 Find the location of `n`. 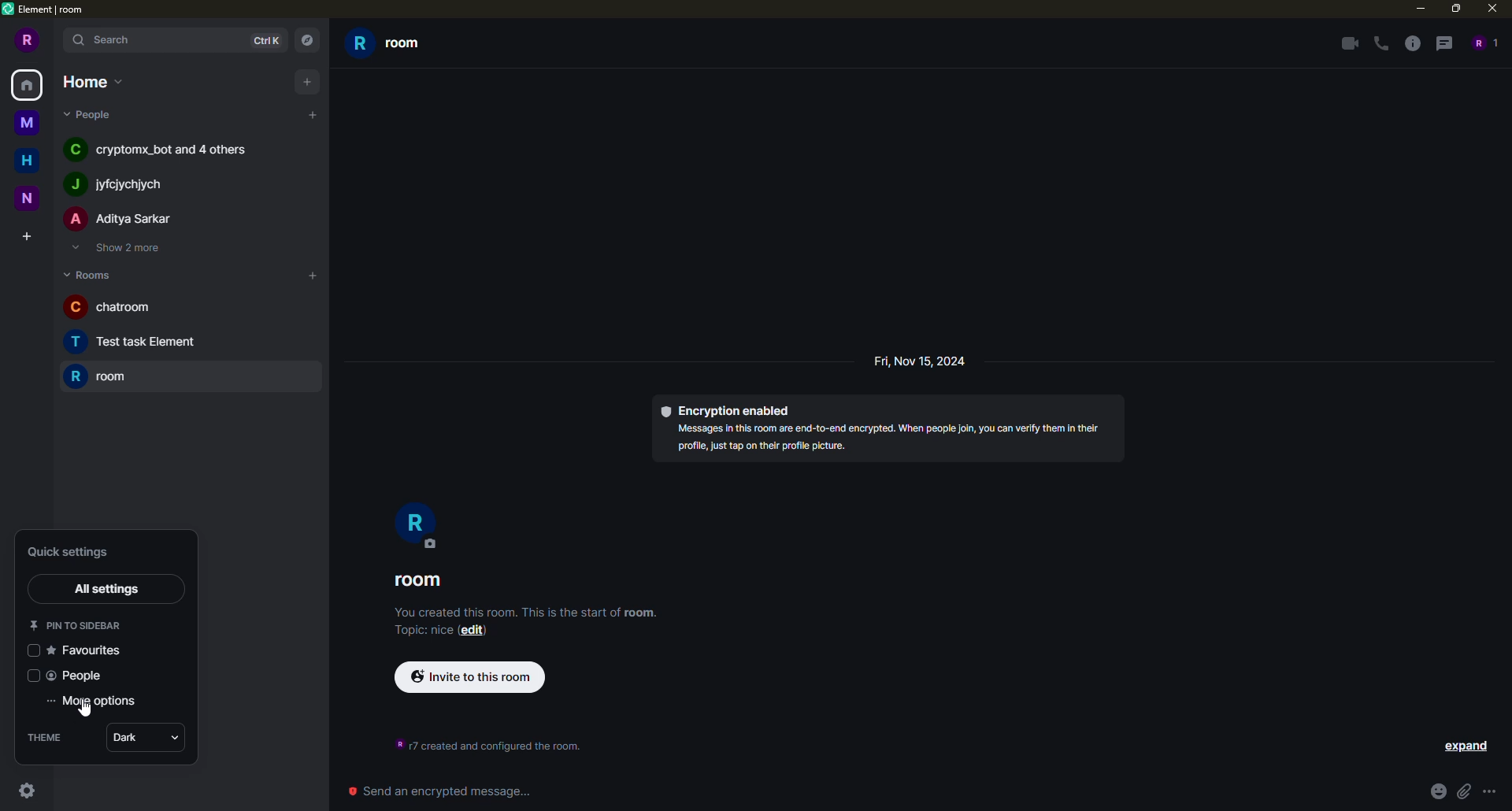

n is located at coordinates (26, 198).